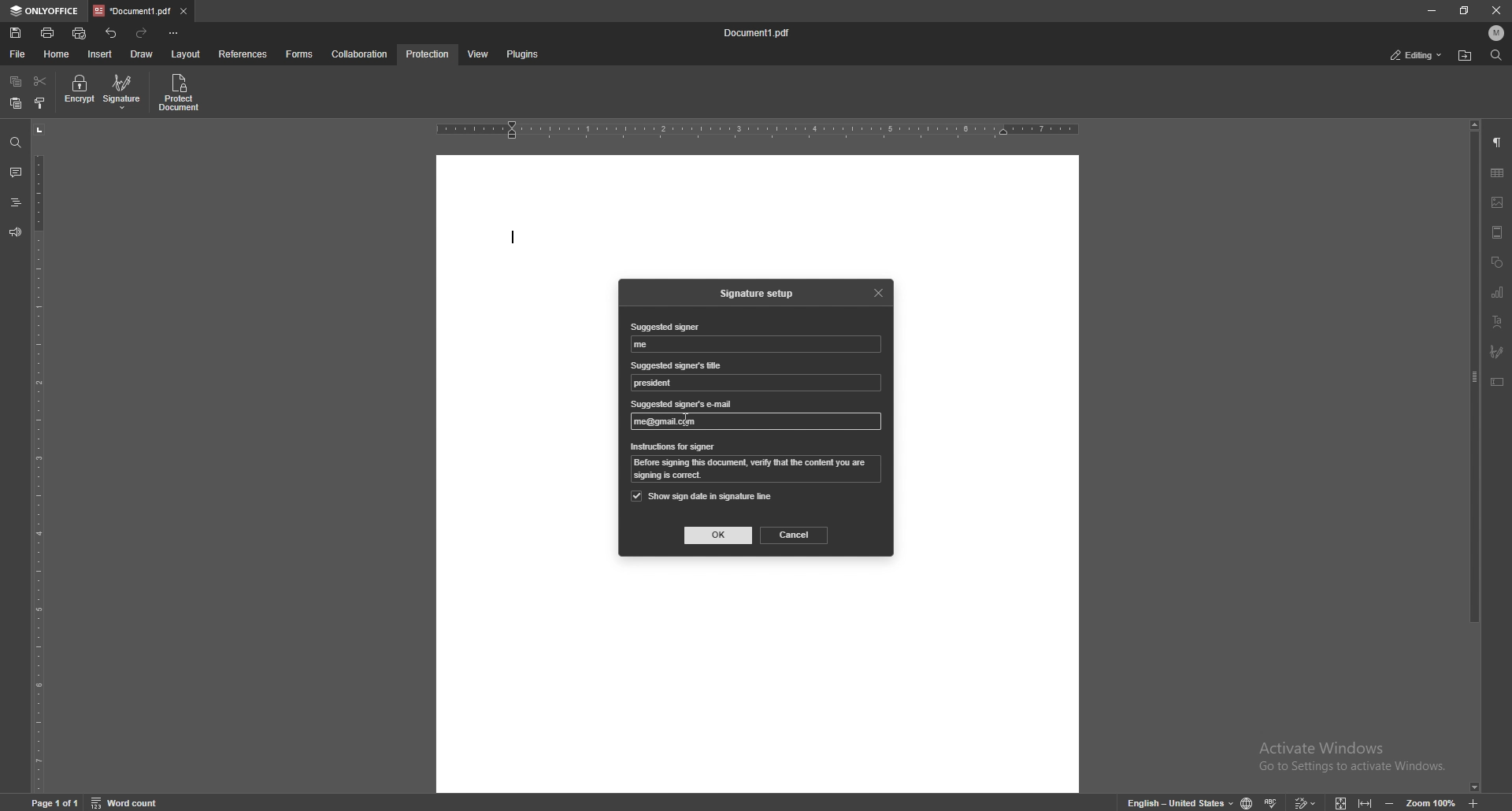  Describe the element at coordinates (1498, 202) in the screenshot. I see `image` at that location.